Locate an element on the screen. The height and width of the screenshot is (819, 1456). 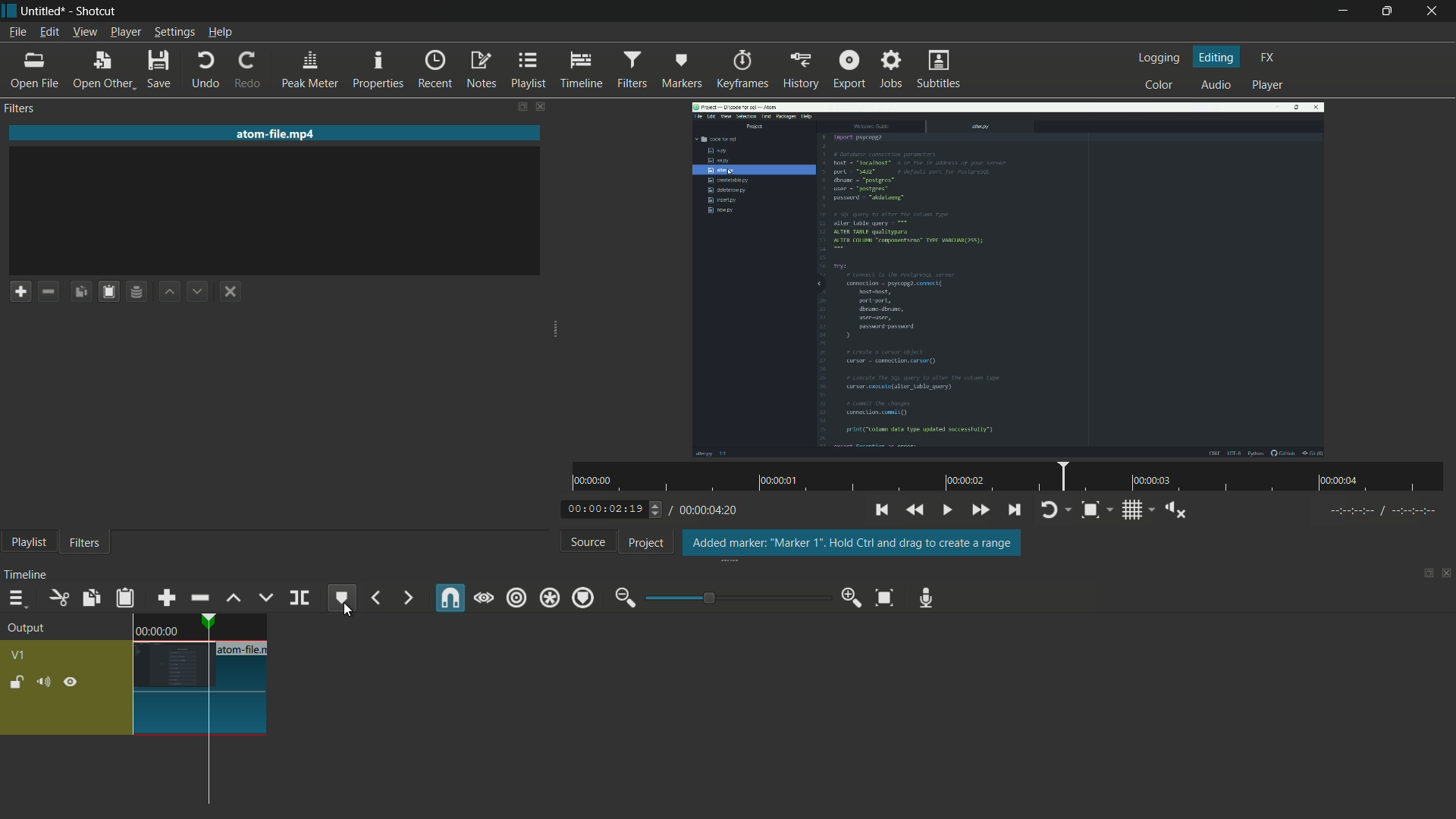
player is located at coordinates (1271, 85).